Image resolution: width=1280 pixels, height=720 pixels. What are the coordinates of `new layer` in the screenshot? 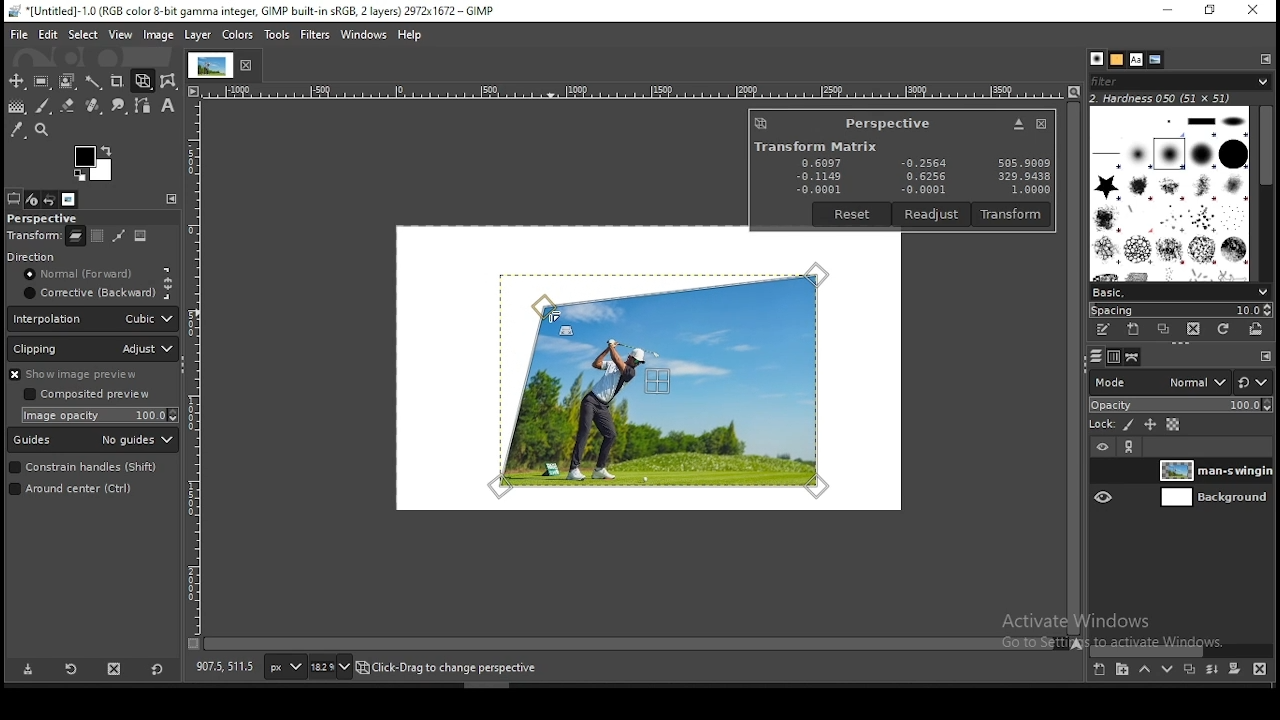 It's located at (1098, 669).